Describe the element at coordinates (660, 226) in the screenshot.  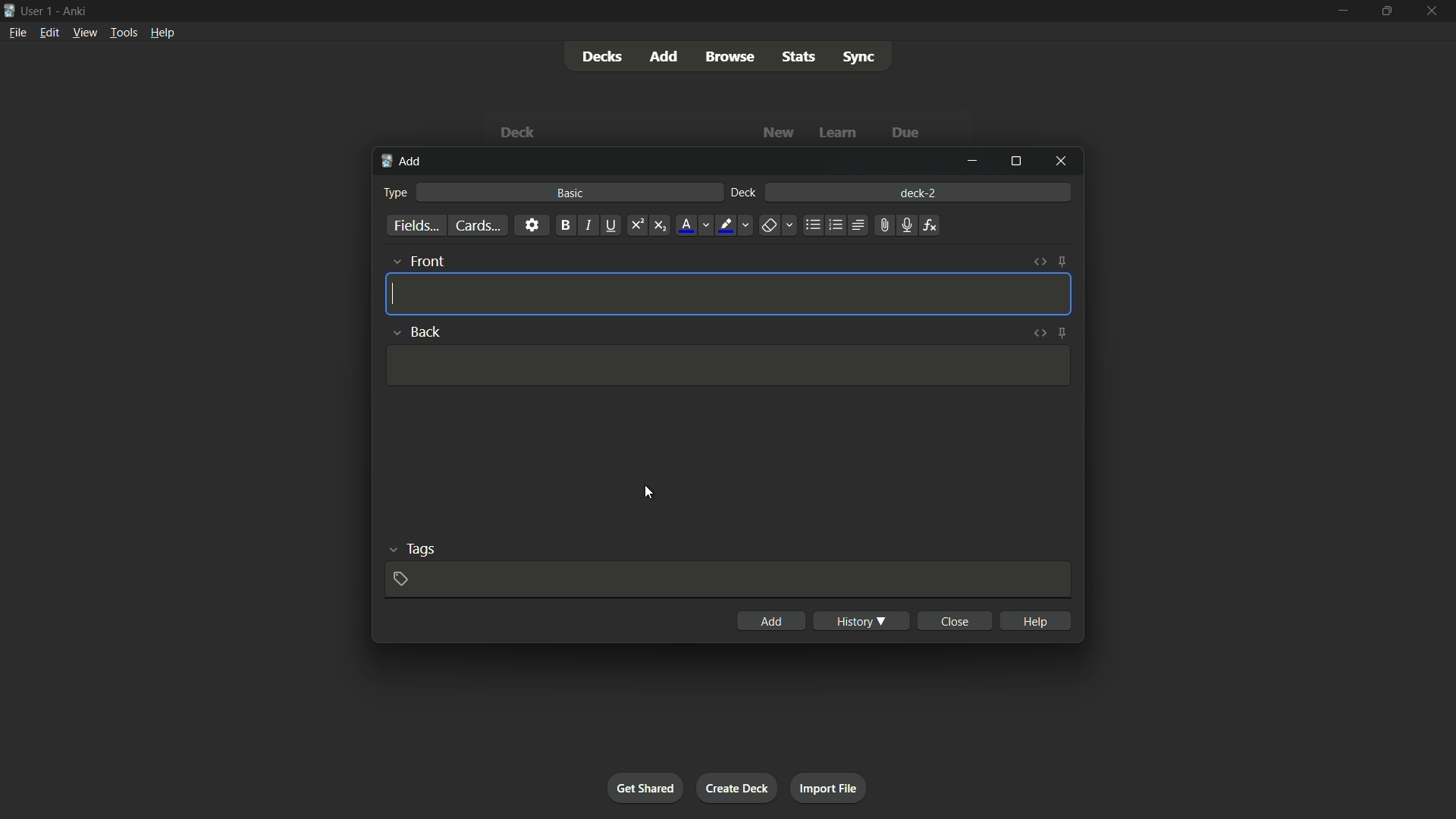
I see `subscript` at that location.